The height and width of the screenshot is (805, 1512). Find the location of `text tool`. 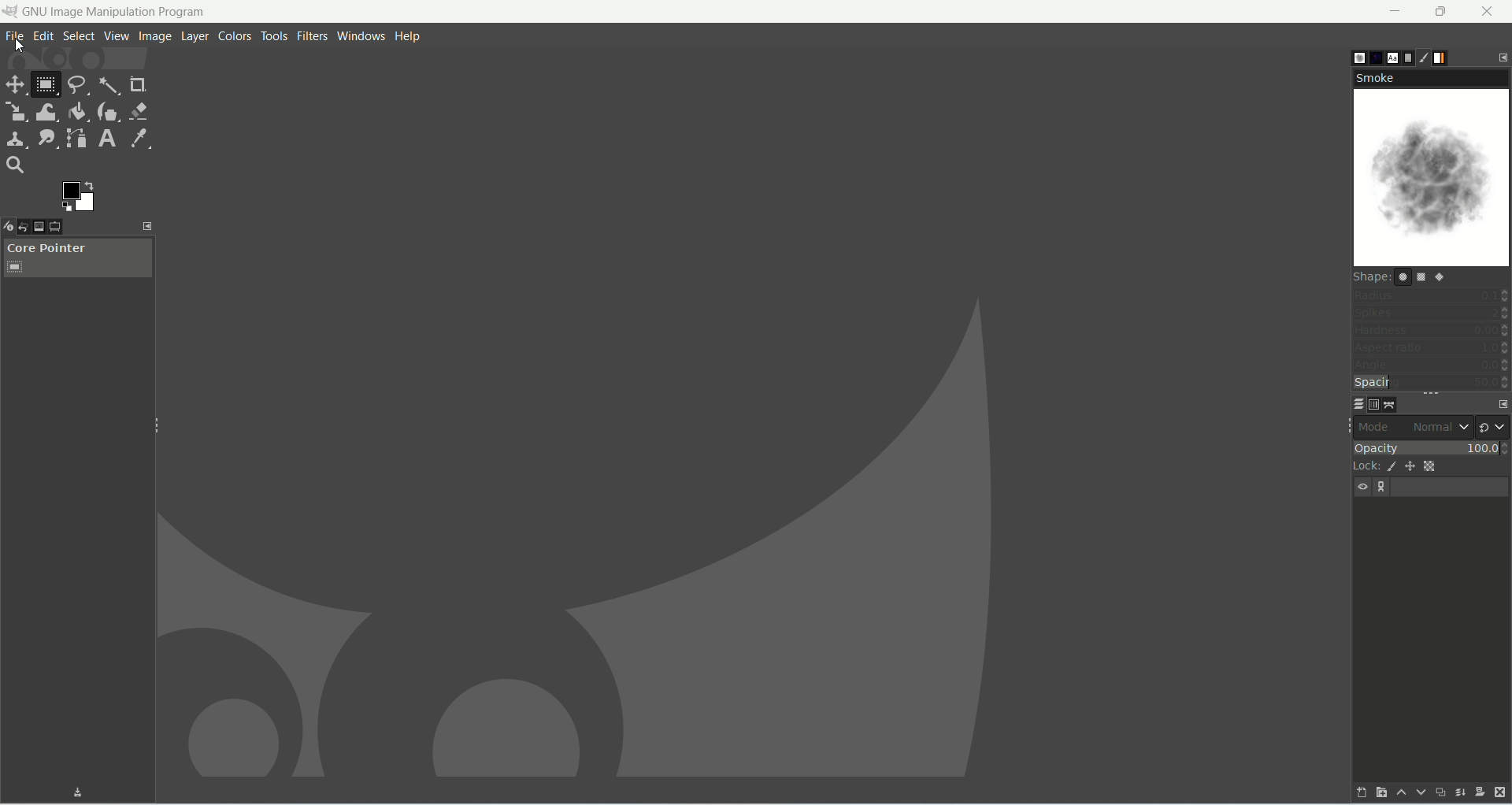

text tool is located at coordinates (106, 139).